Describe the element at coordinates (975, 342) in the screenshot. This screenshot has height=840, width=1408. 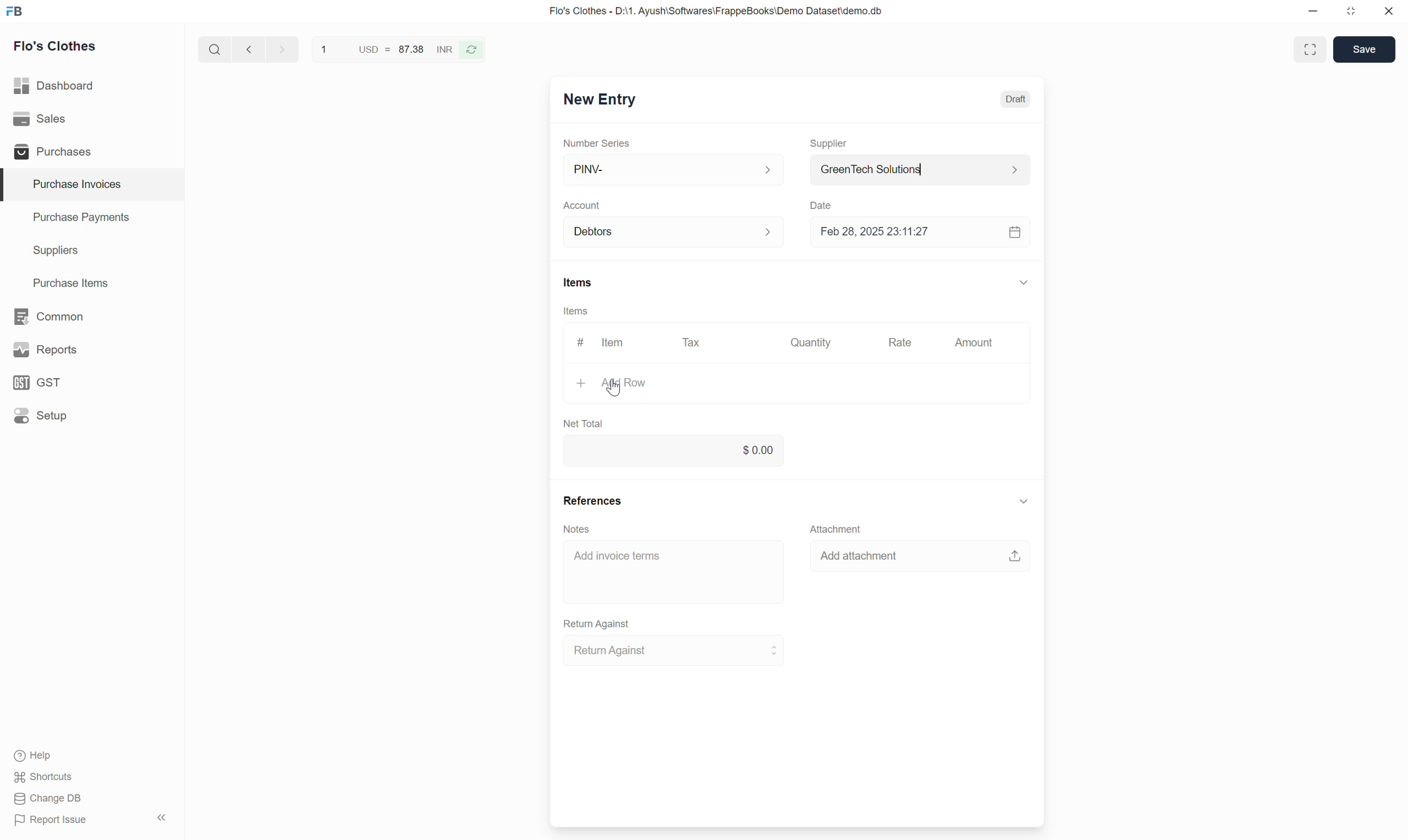
I see `Amount` at that location.